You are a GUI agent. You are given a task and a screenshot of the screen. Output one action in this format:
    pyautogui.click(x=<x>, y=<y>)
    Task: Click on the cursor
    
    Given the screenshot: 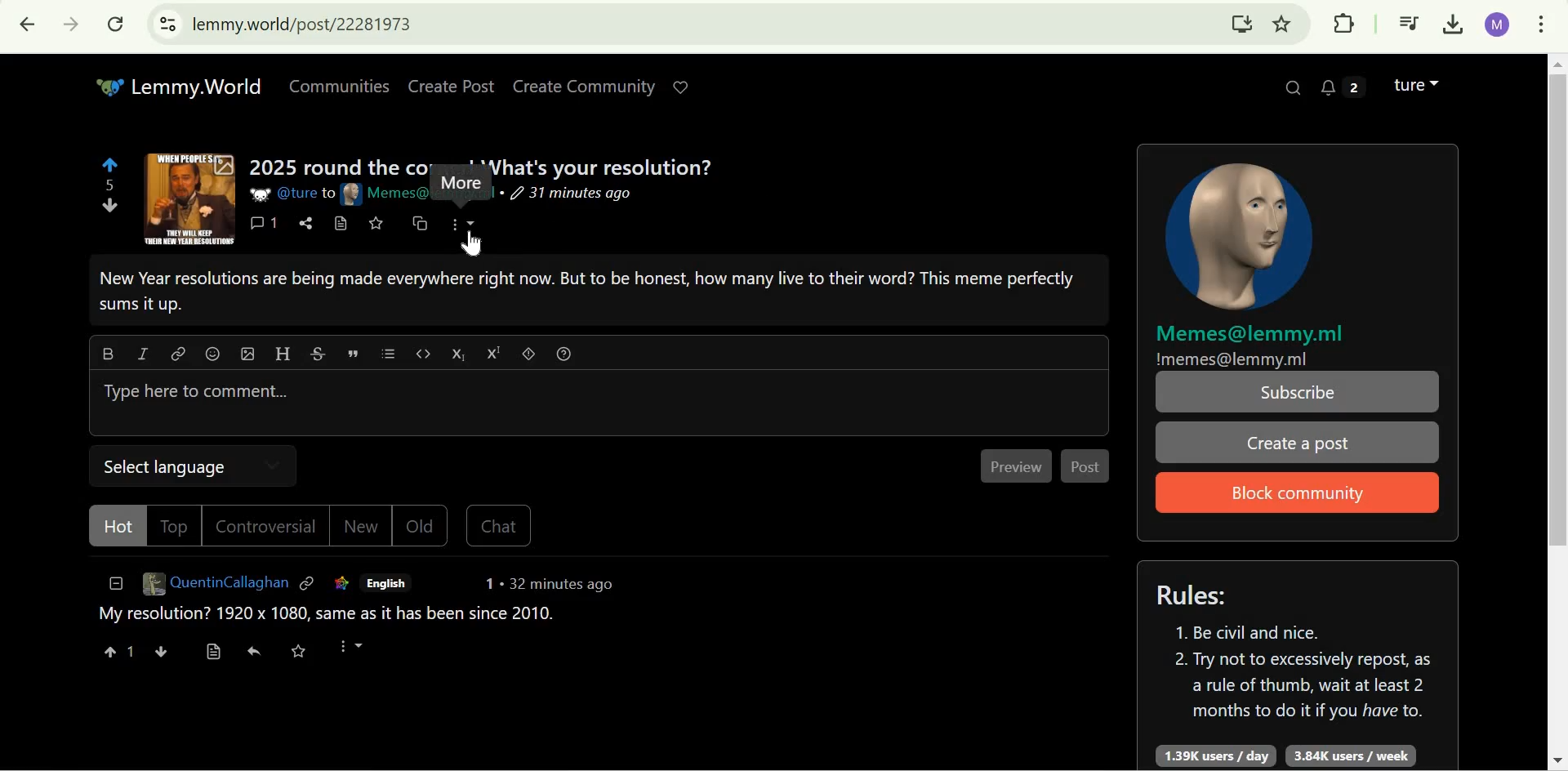 What is the action you would take?
    pyautogui.click(x=476, y=243)
    